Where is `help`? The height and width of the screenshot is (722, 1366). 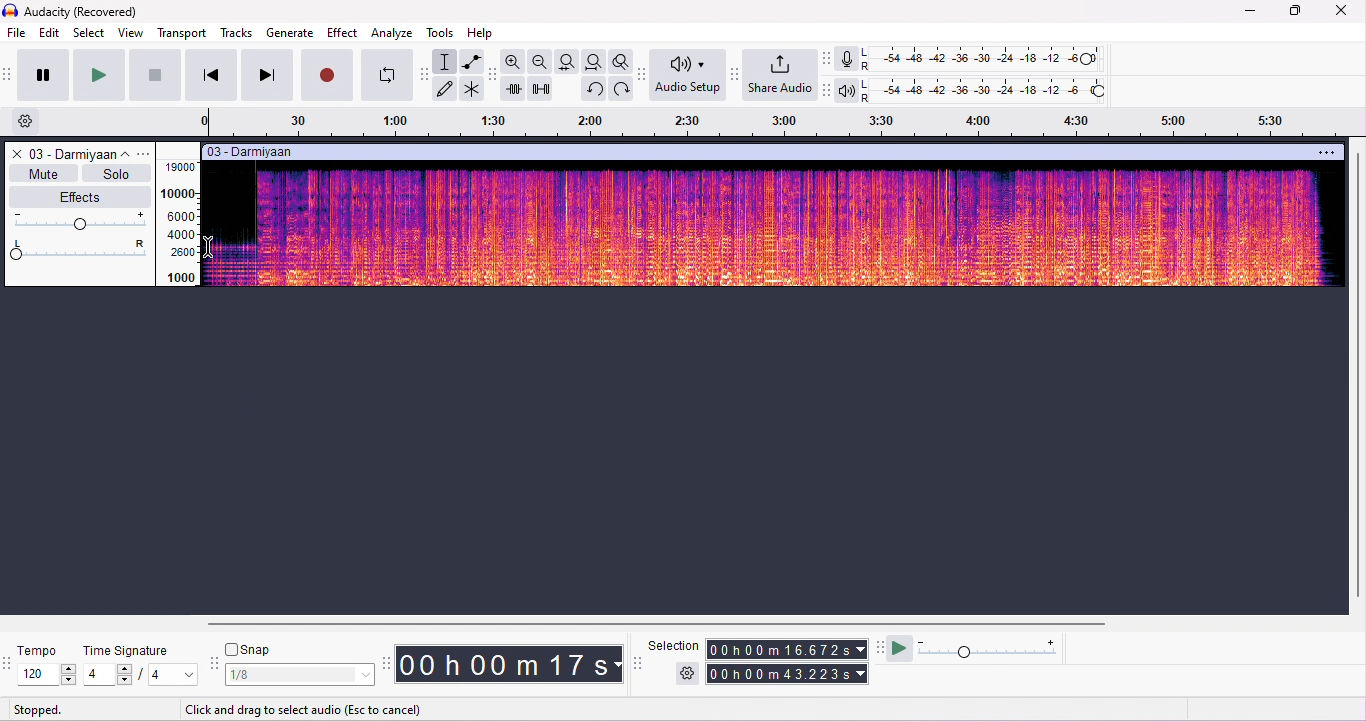
help is located at coordinates (482, 32).